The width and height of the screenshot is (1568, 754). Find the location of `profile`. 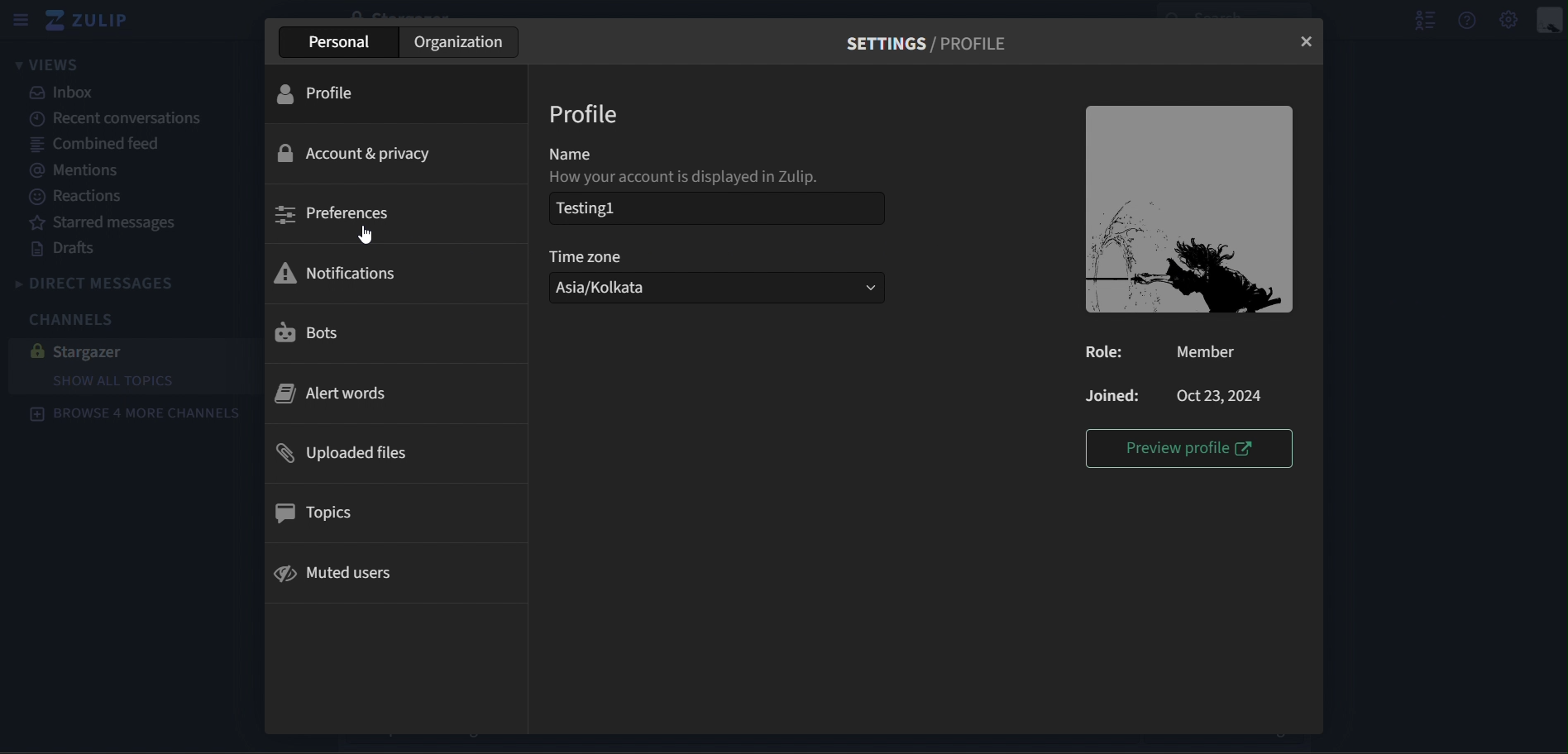

profile is located at coordinates (328, 95).